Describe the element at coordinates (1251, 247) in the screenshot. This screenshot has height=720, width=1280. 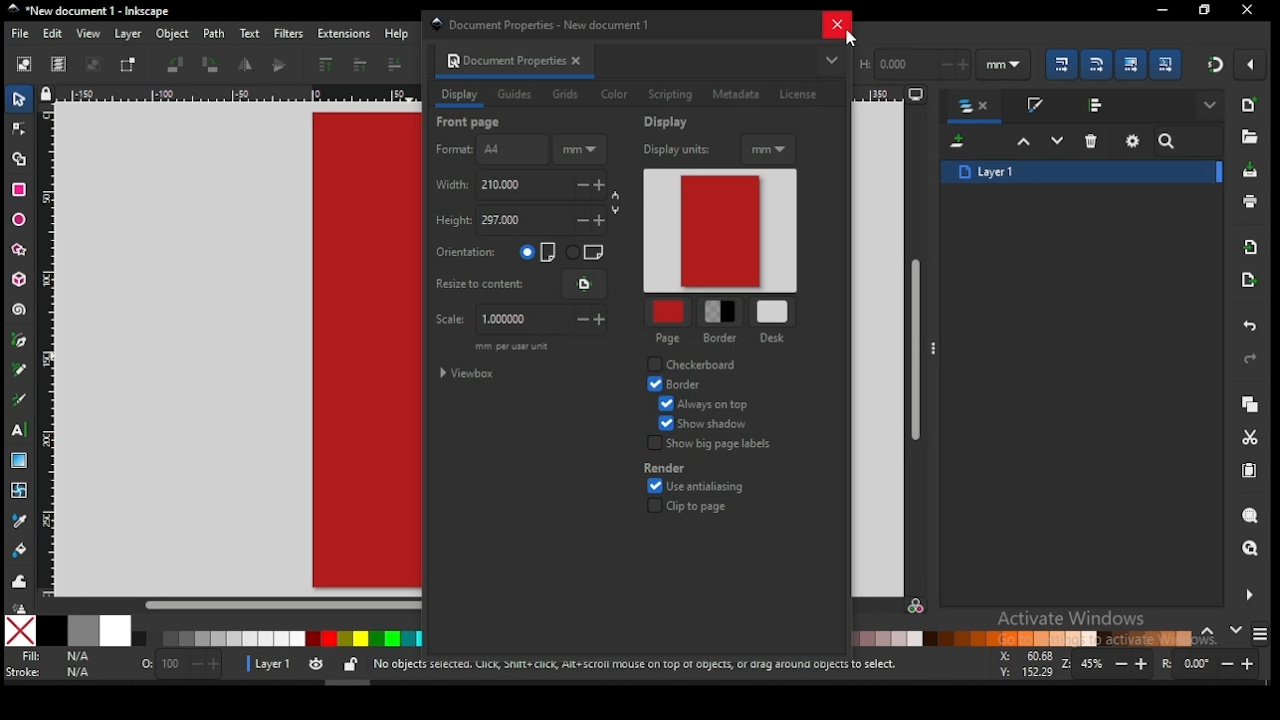
I see `import` at that location.